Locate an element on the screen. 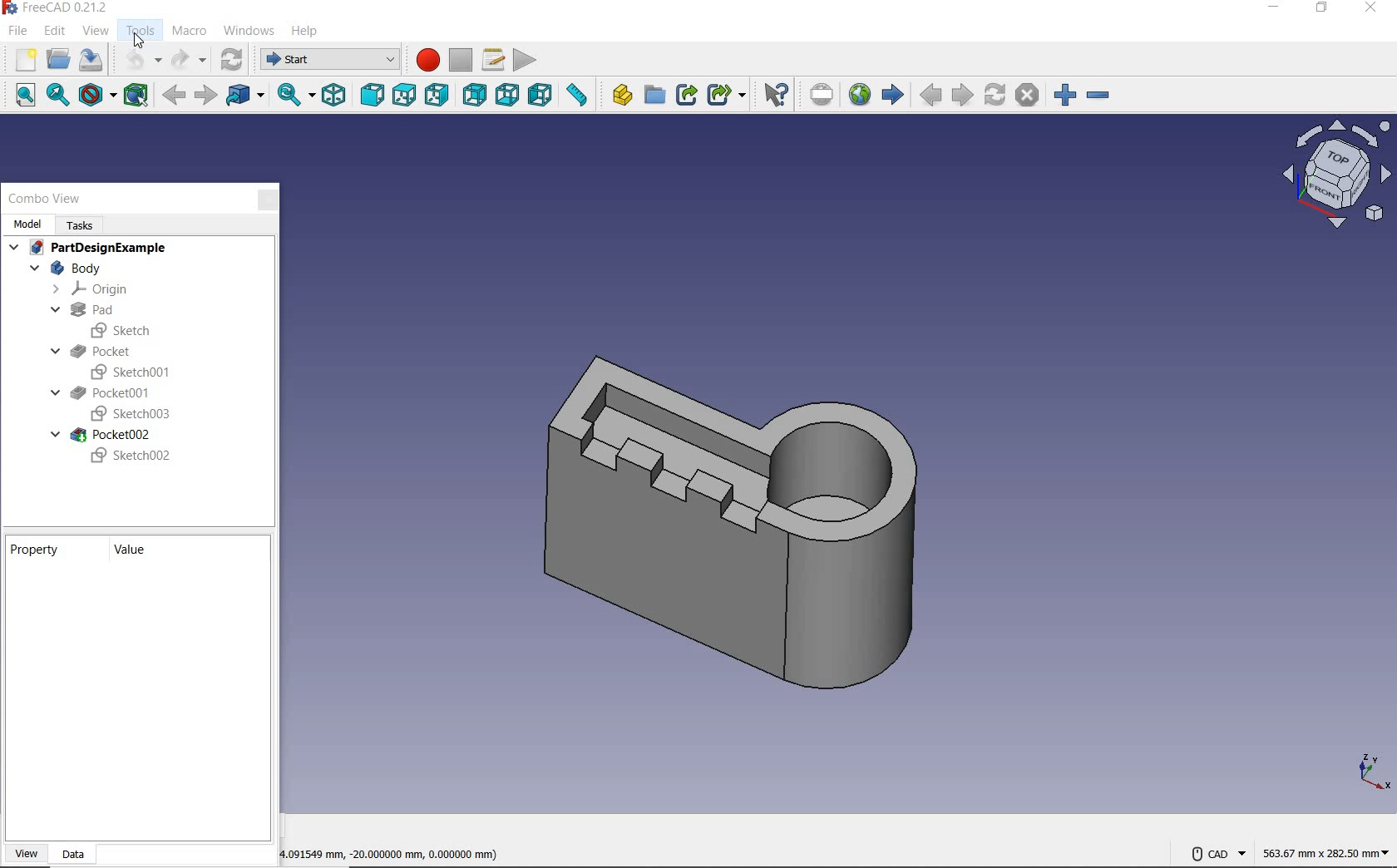 Image resolution: width=1397 pixels, height=868 pixels. Macro recording is located at coordinates (423, 60).